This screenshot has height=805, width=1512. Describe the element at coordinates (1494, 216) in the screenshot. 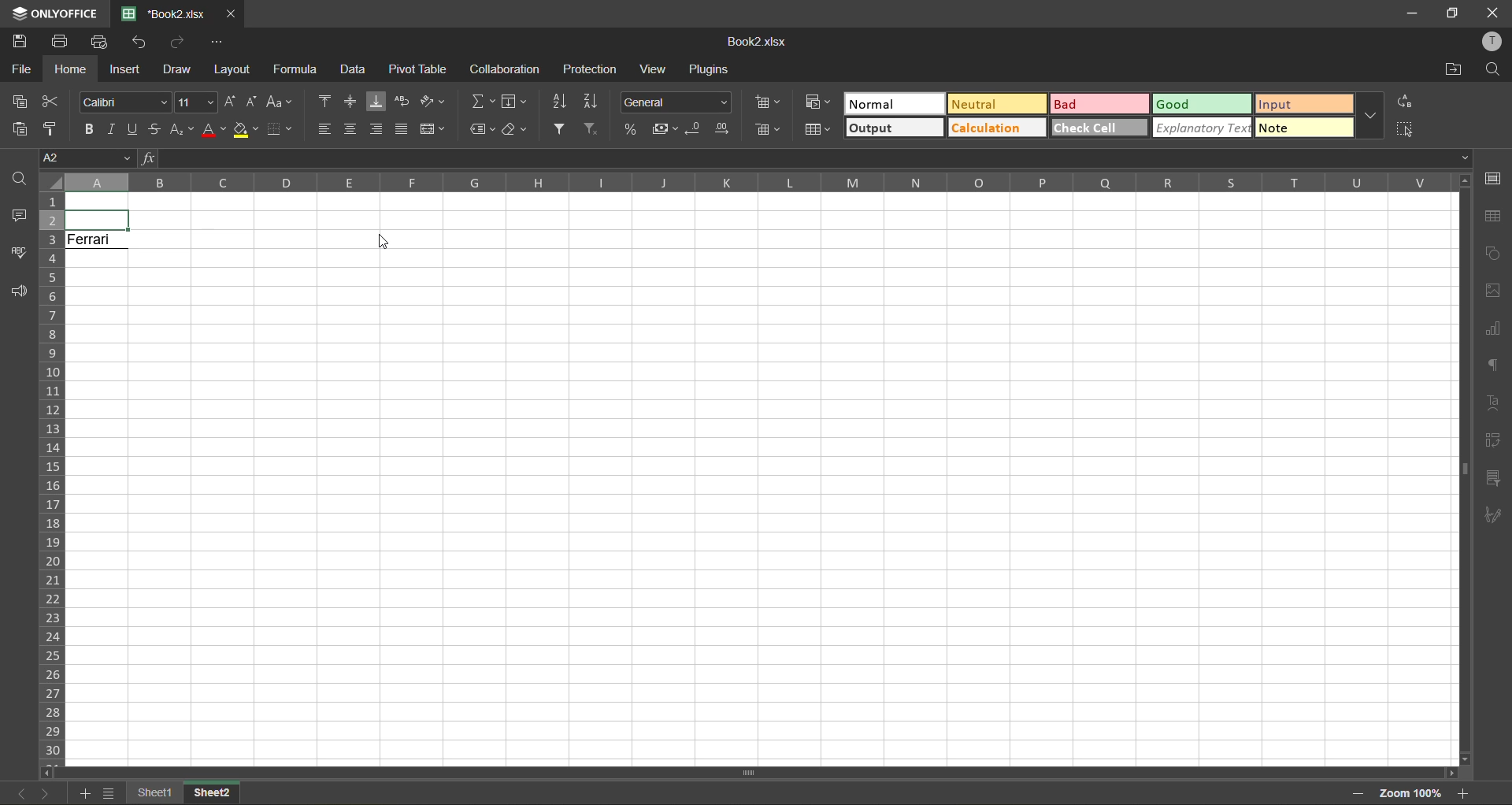

I see `table` at that location.